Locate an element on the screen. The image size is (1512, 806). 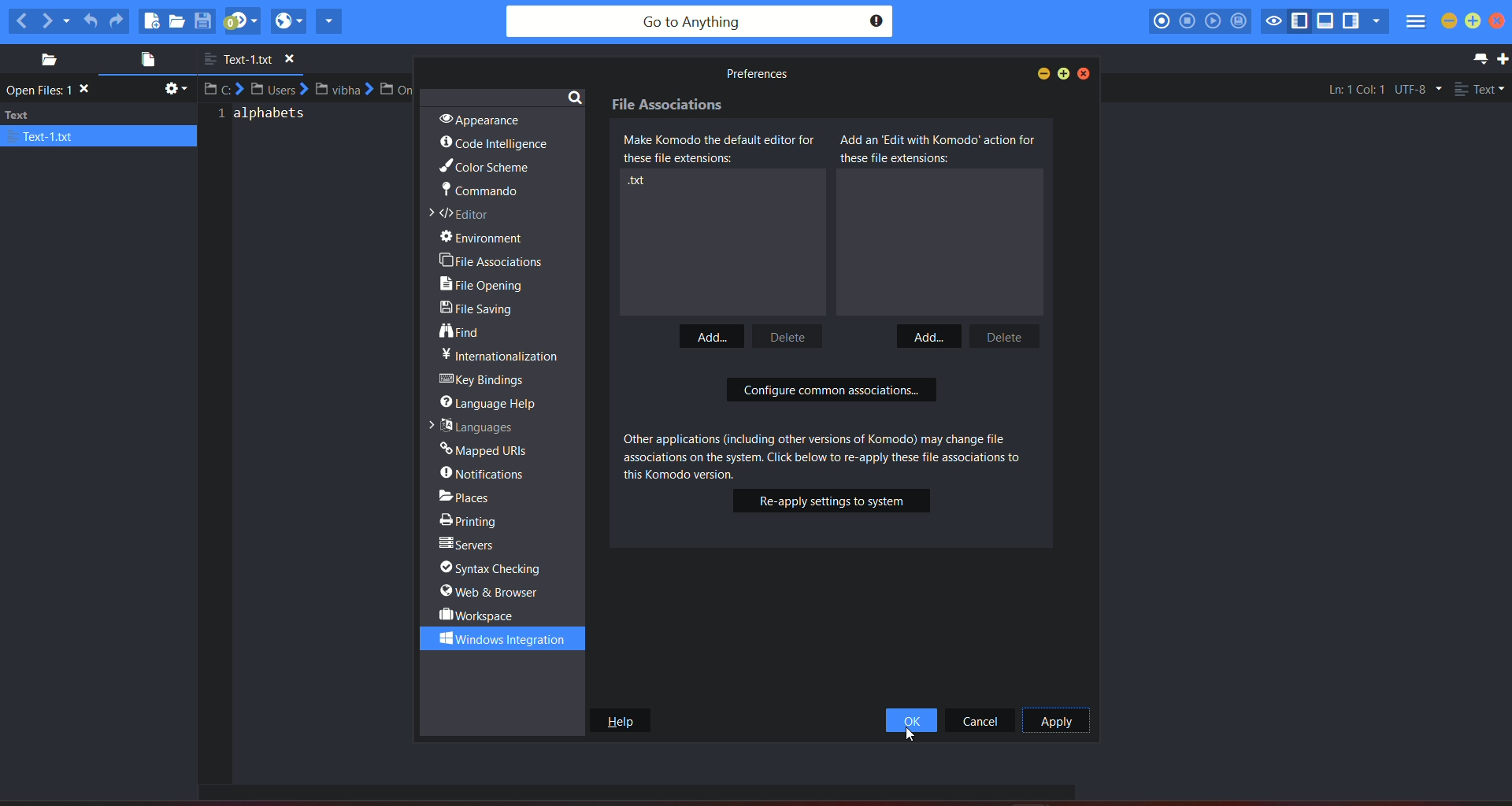
text is located at coordinates (99, 125).